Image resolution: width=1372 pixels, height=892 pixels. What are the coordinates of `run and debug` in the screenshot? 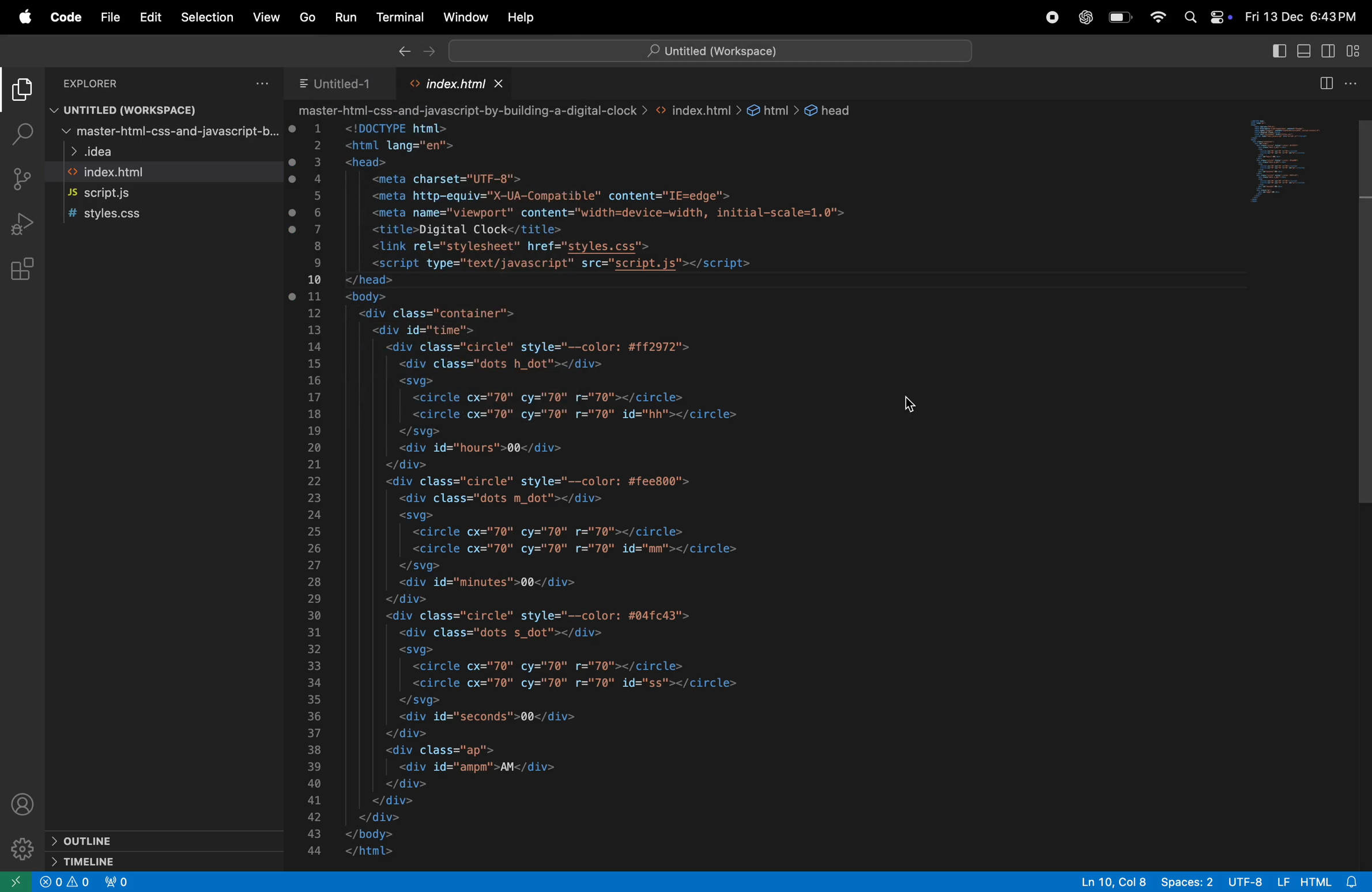 It's located at (22, 226).